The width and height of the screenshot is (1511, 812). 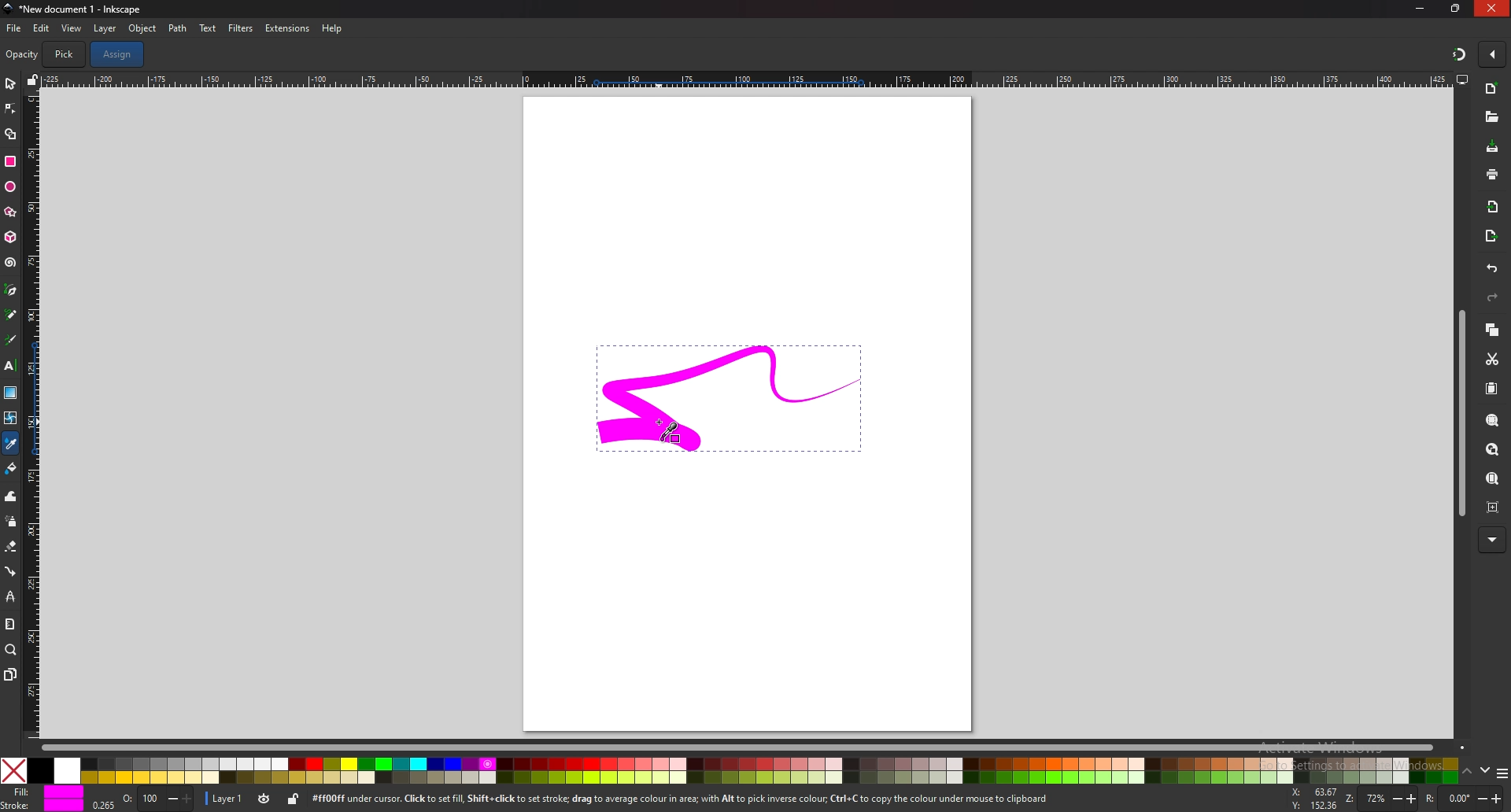 What do you see at coordinates (72, 28) in the screenshot?
I see `view` at bounding box center [72, 28].